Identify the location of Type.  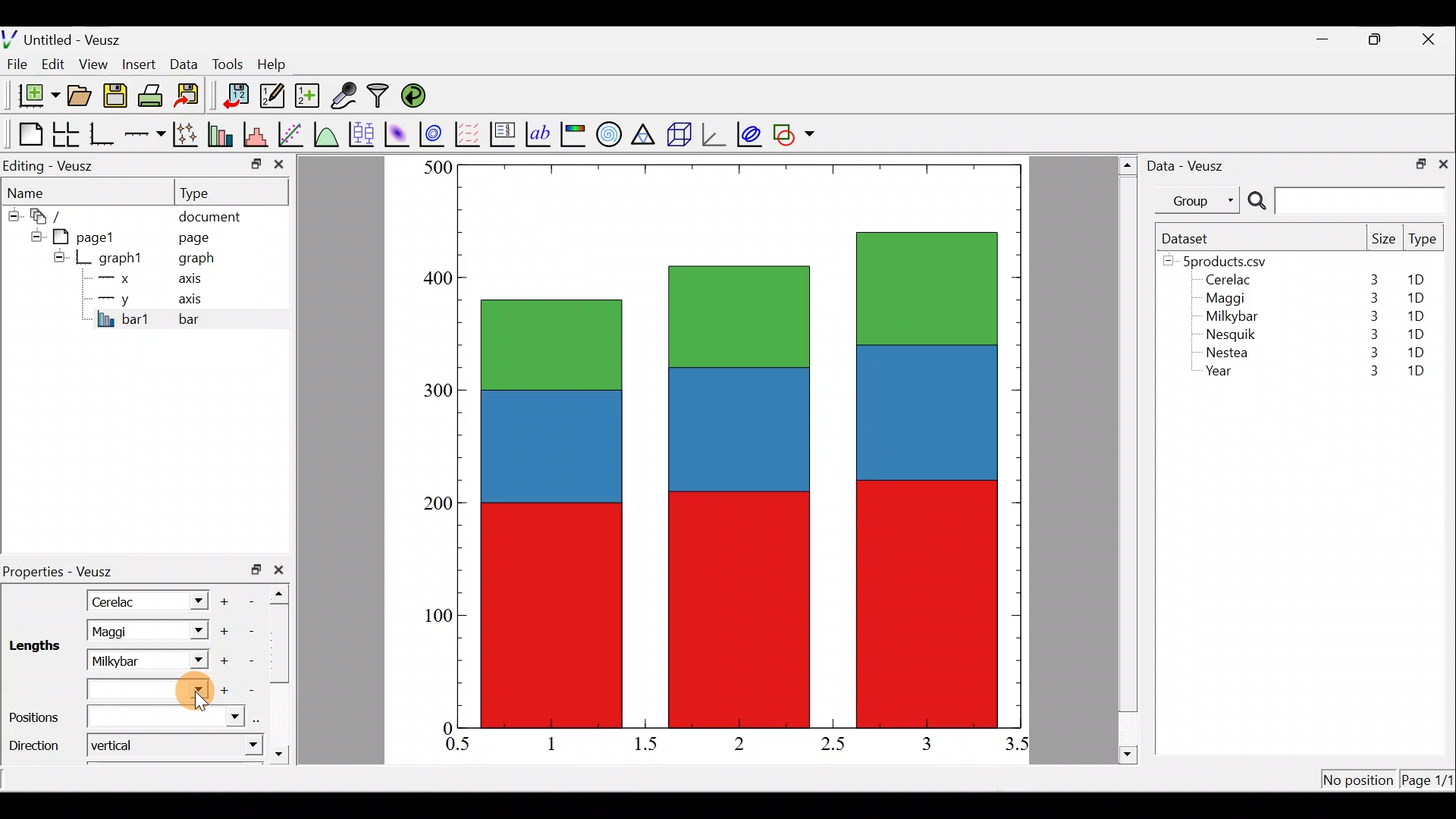
(1424, 243).